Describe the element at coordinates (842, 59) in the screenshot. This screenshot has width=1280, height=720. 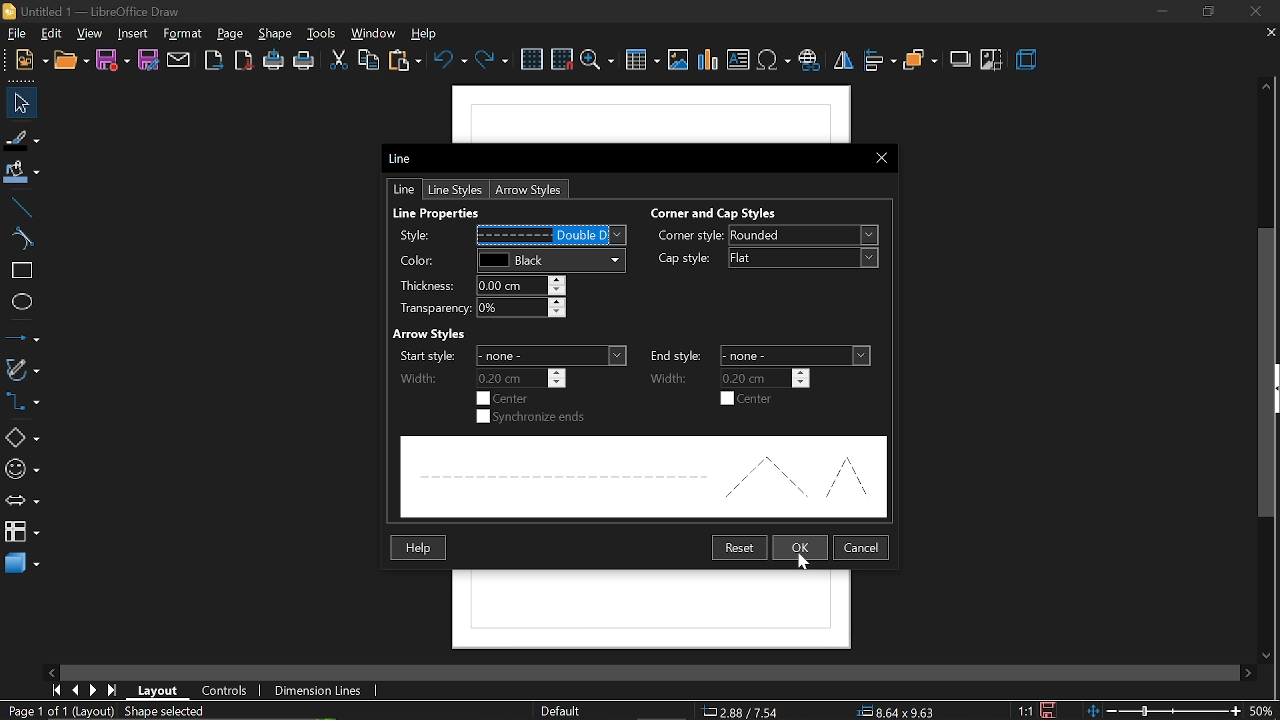
I see `flip` at that location.